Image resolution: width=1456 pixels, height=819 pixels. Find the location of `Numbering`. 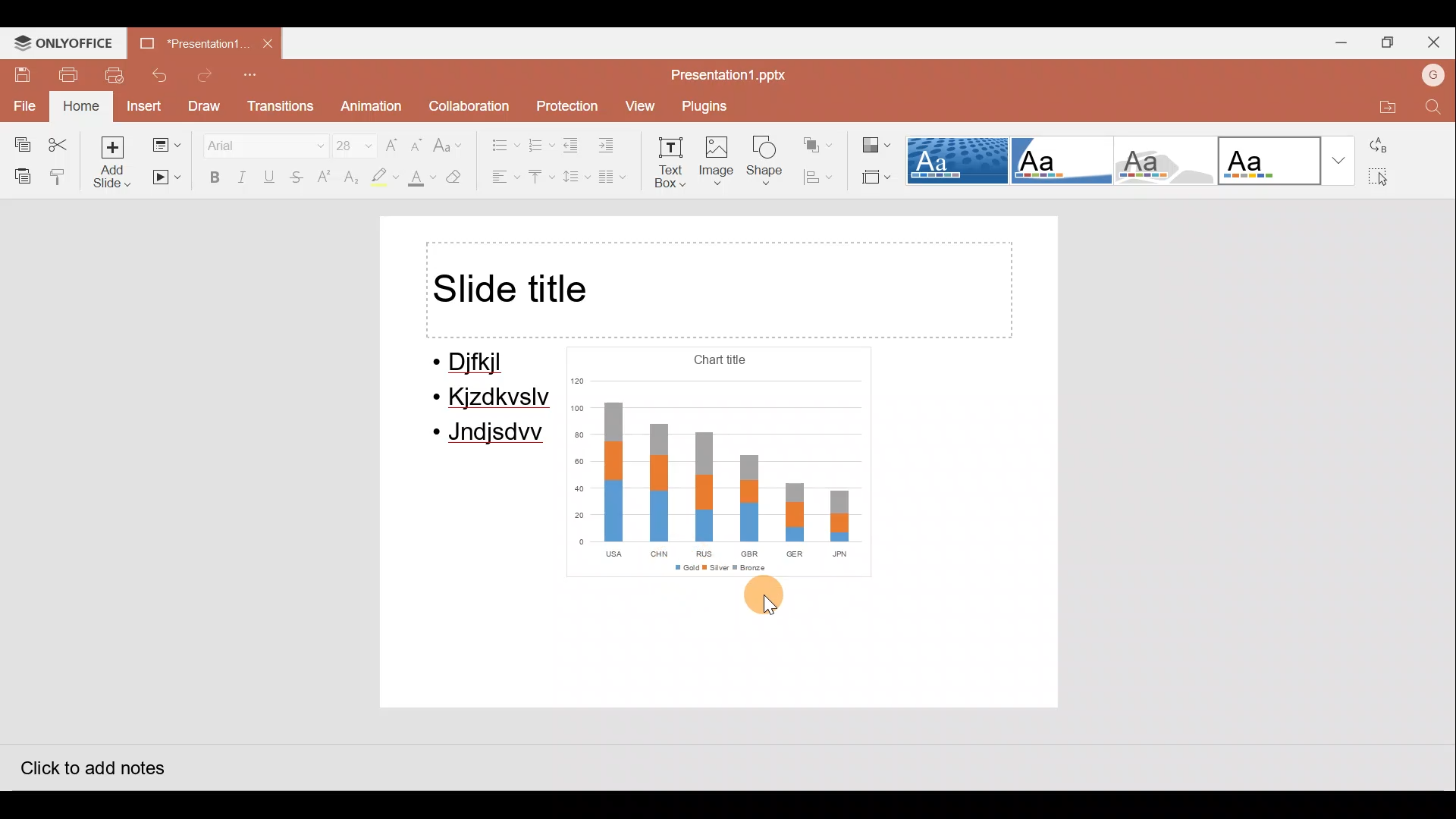

Numbering is located at coordinates (541, 143).